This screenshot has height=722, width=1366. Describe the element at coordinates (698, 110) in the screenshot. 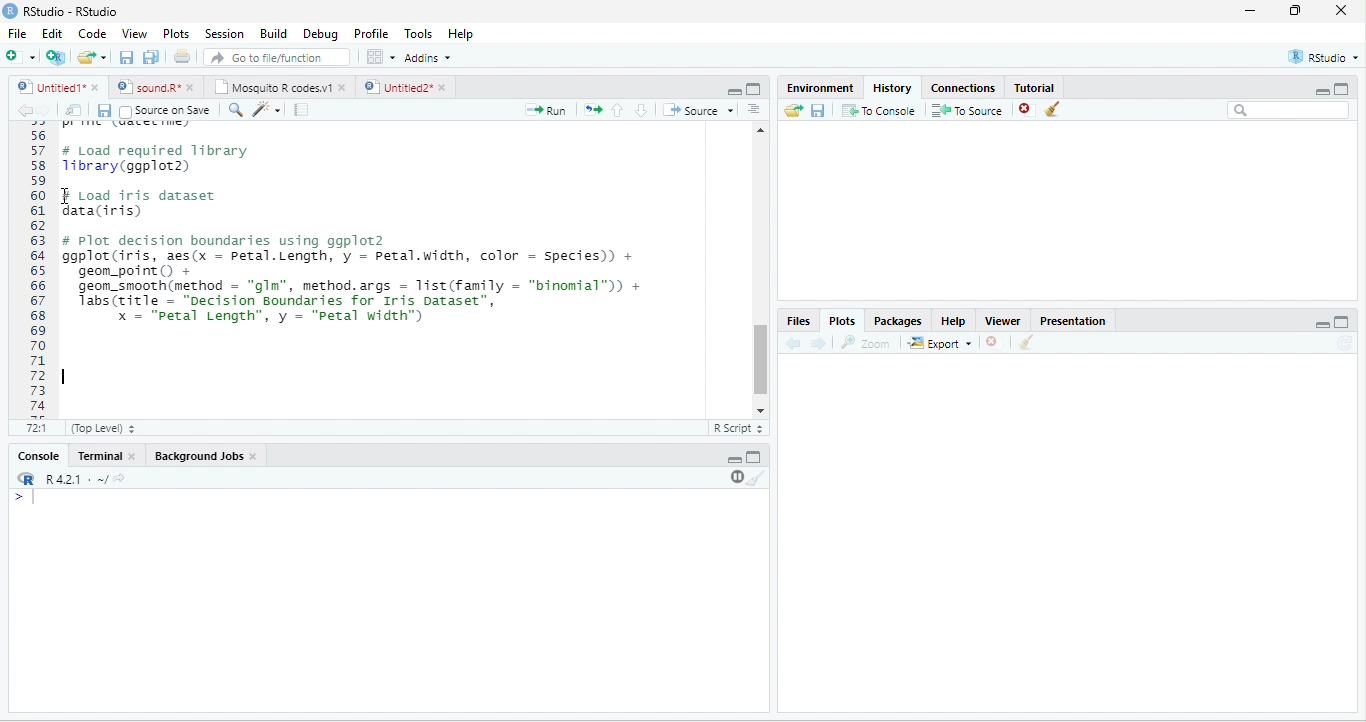

I see `Source` at that location.